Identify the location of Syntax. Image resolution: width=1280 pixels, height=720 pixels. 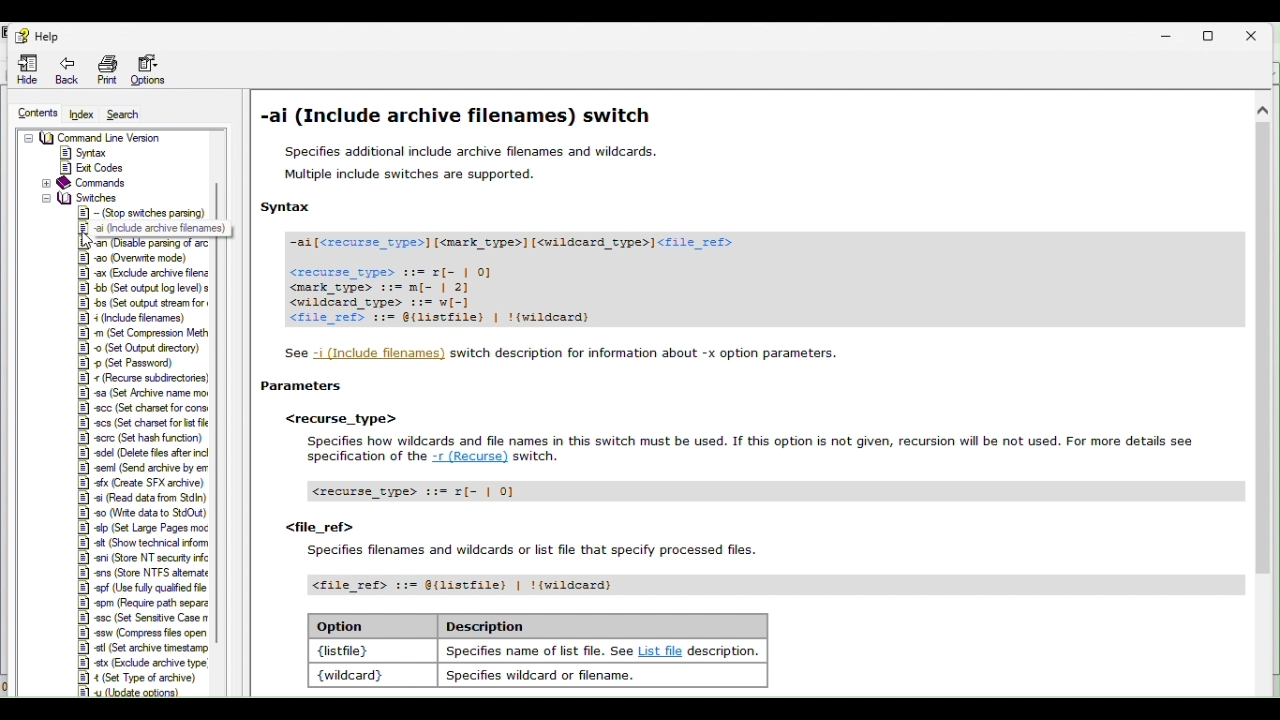
(82, 152).